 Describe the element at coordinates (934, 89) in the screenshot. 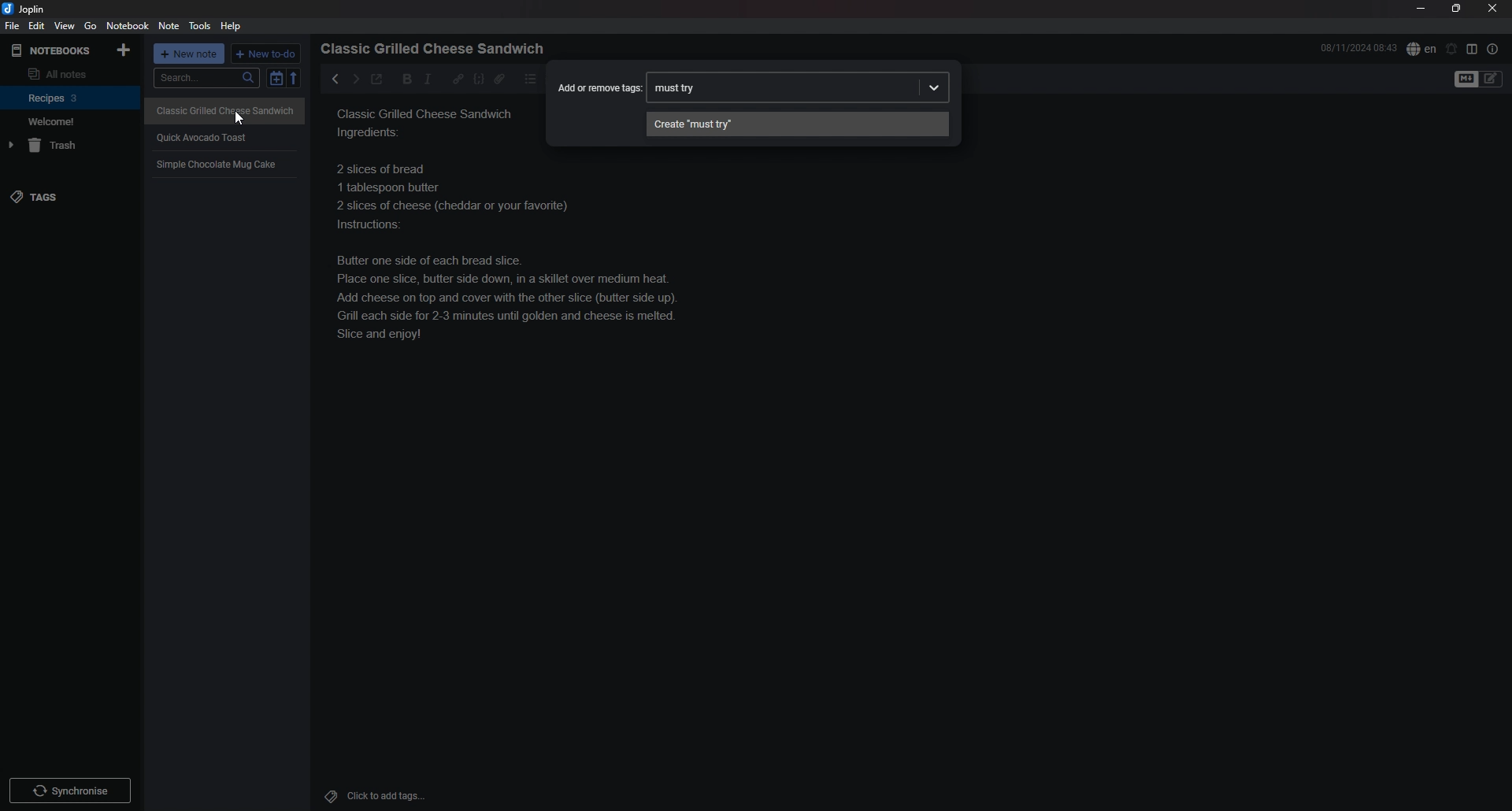

I see `drop down` at that location.